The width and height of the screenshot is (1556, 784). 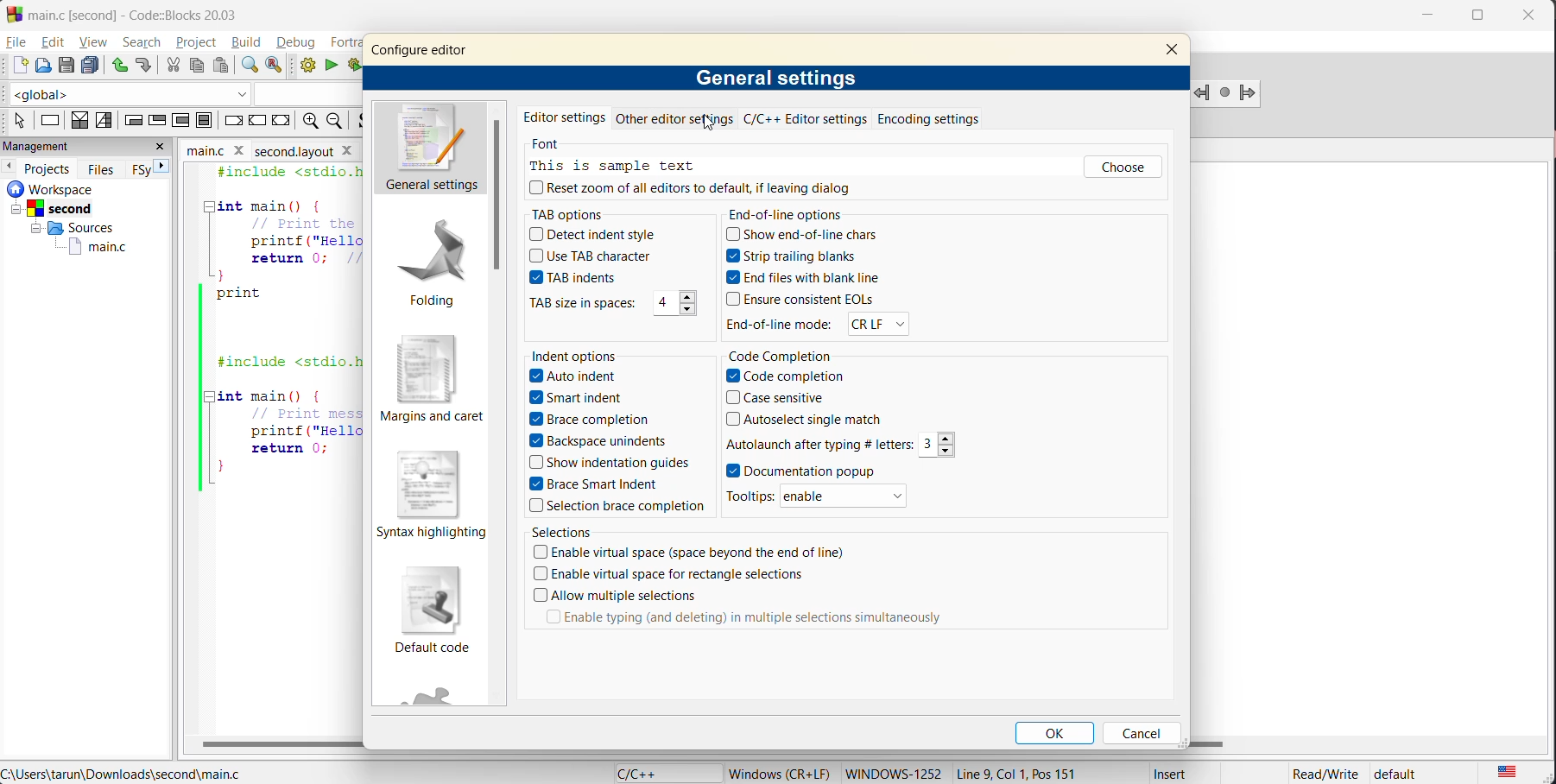 What do you see at coordinates (284, 122) in the screenshot?
I see `return instruction` at bounding box center [284, 122].